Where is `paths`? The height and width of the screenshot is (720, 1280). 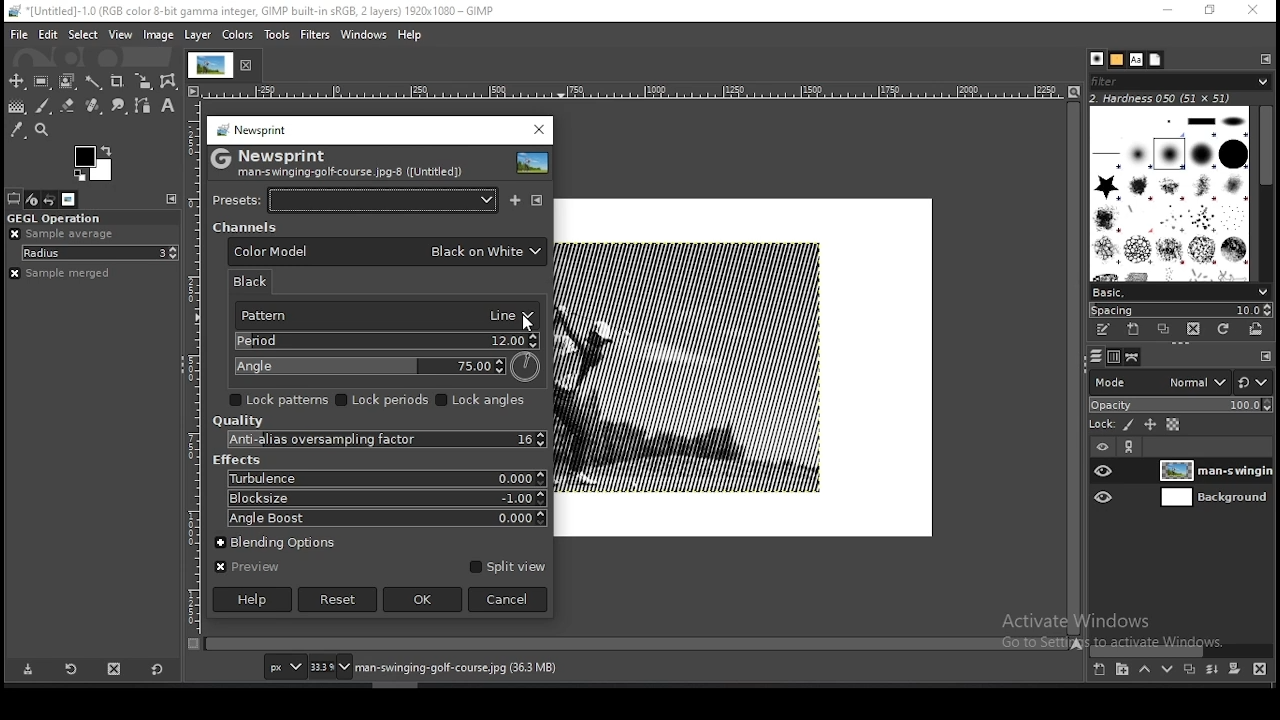
paths is located at coordinates (1134, 357).